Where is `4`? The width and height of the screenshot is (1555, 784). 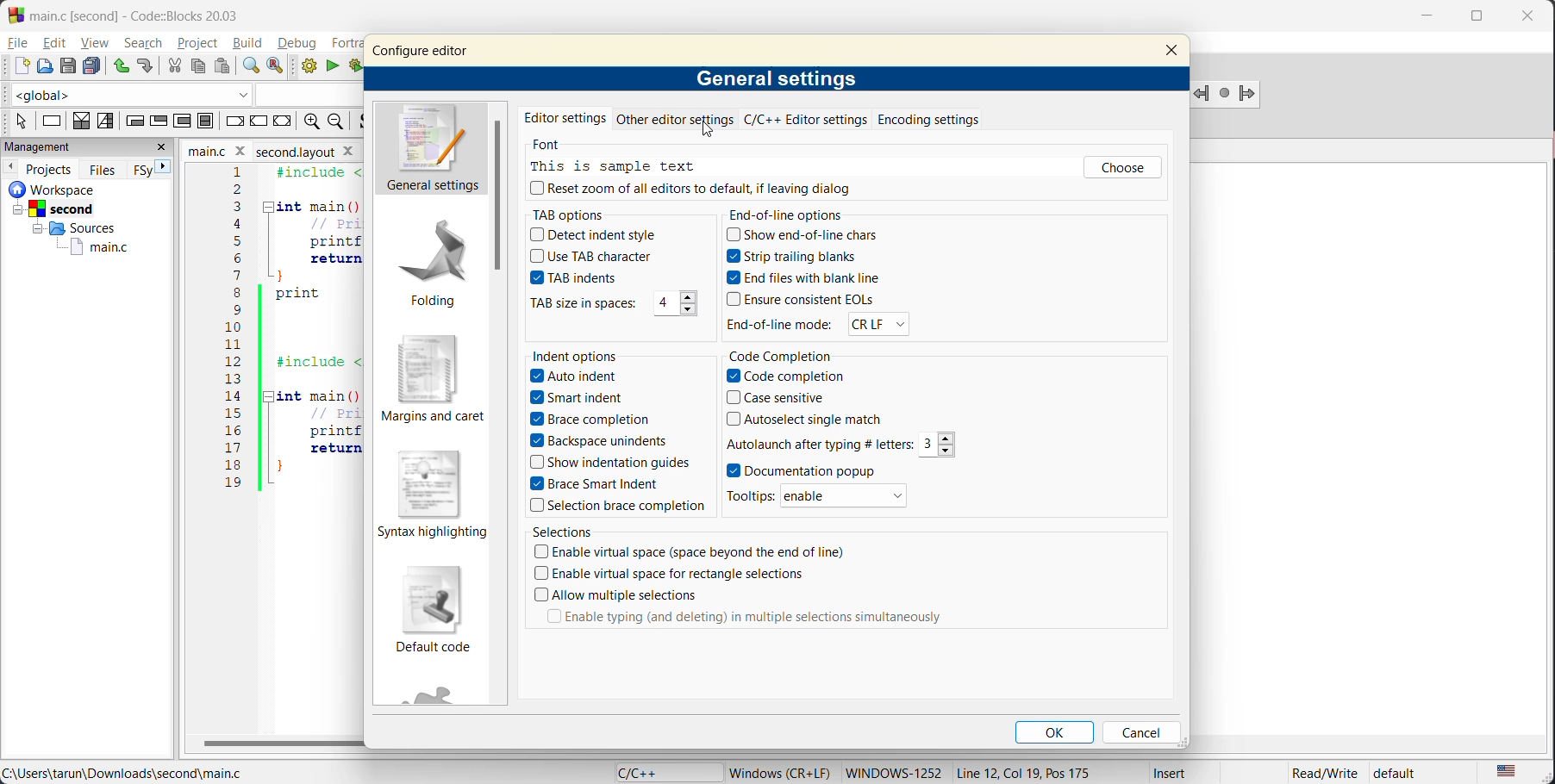 4 is located at coordinates (677, 302).